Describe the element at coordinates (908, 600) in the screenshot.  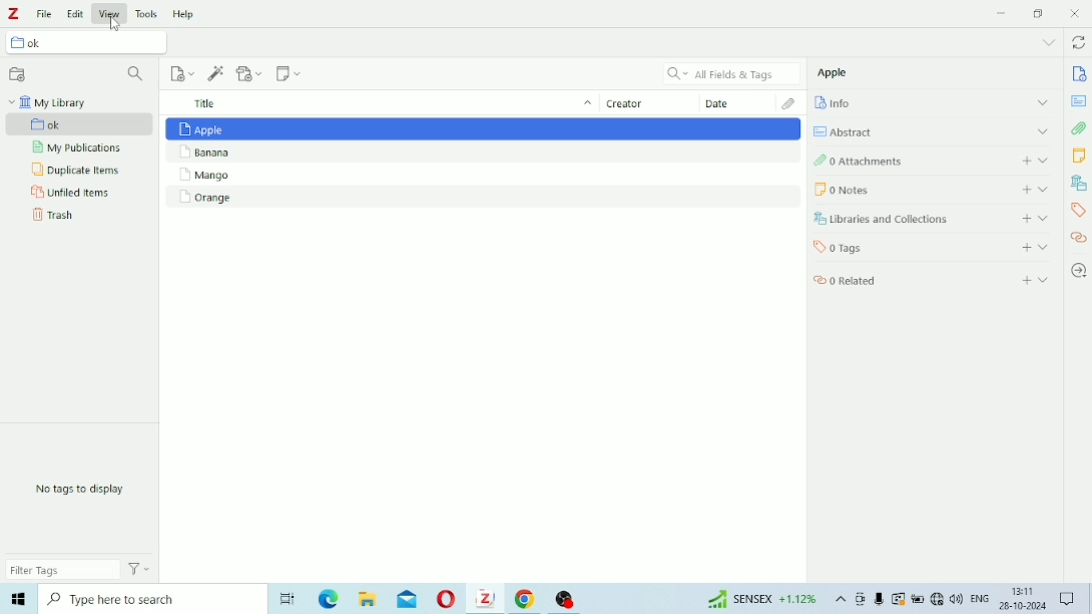
I see `Task bar icons` at that location.